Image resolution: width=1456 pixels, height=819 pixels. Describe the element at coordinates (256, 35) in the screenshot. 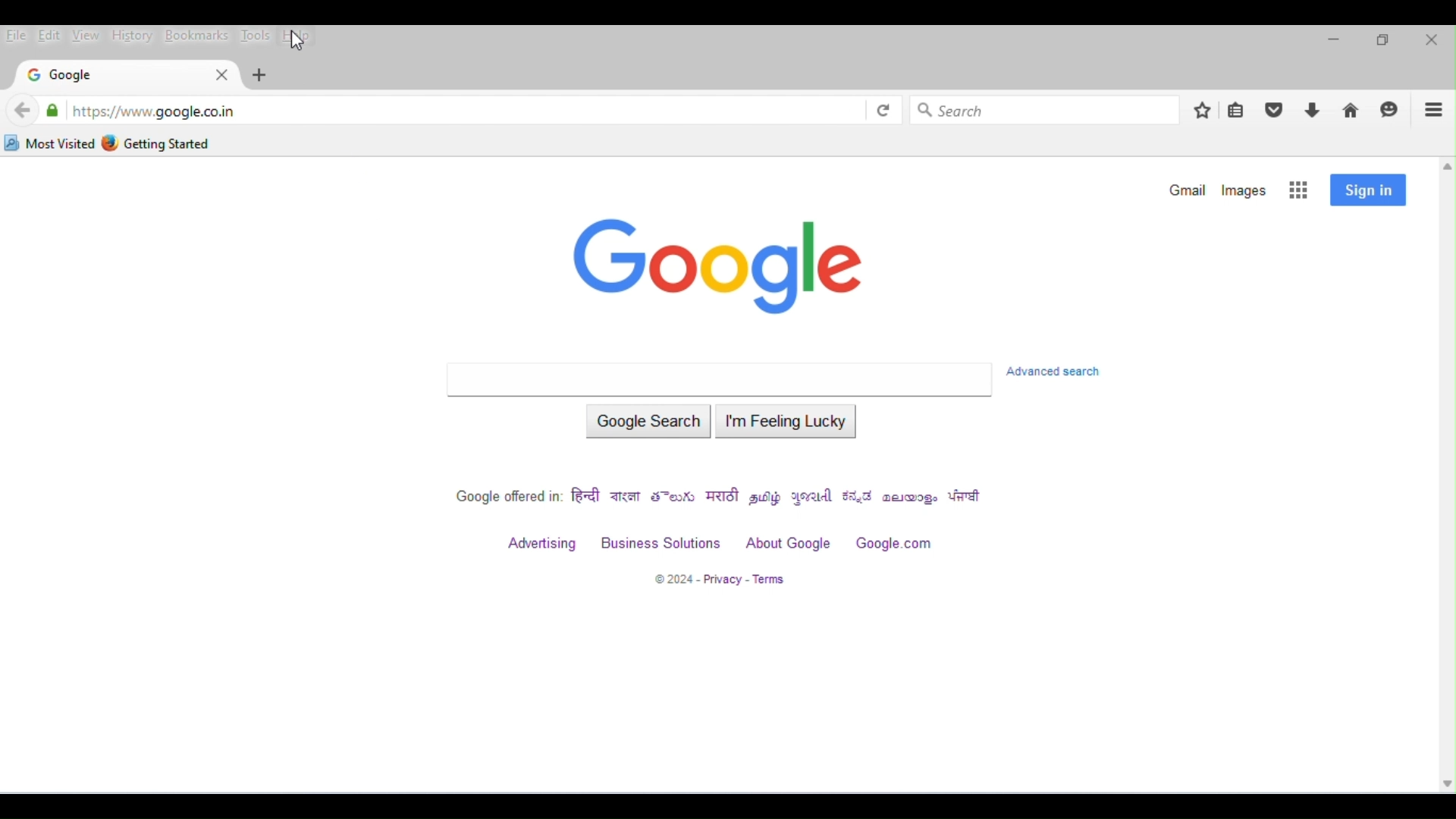

I see `tools` at that location.